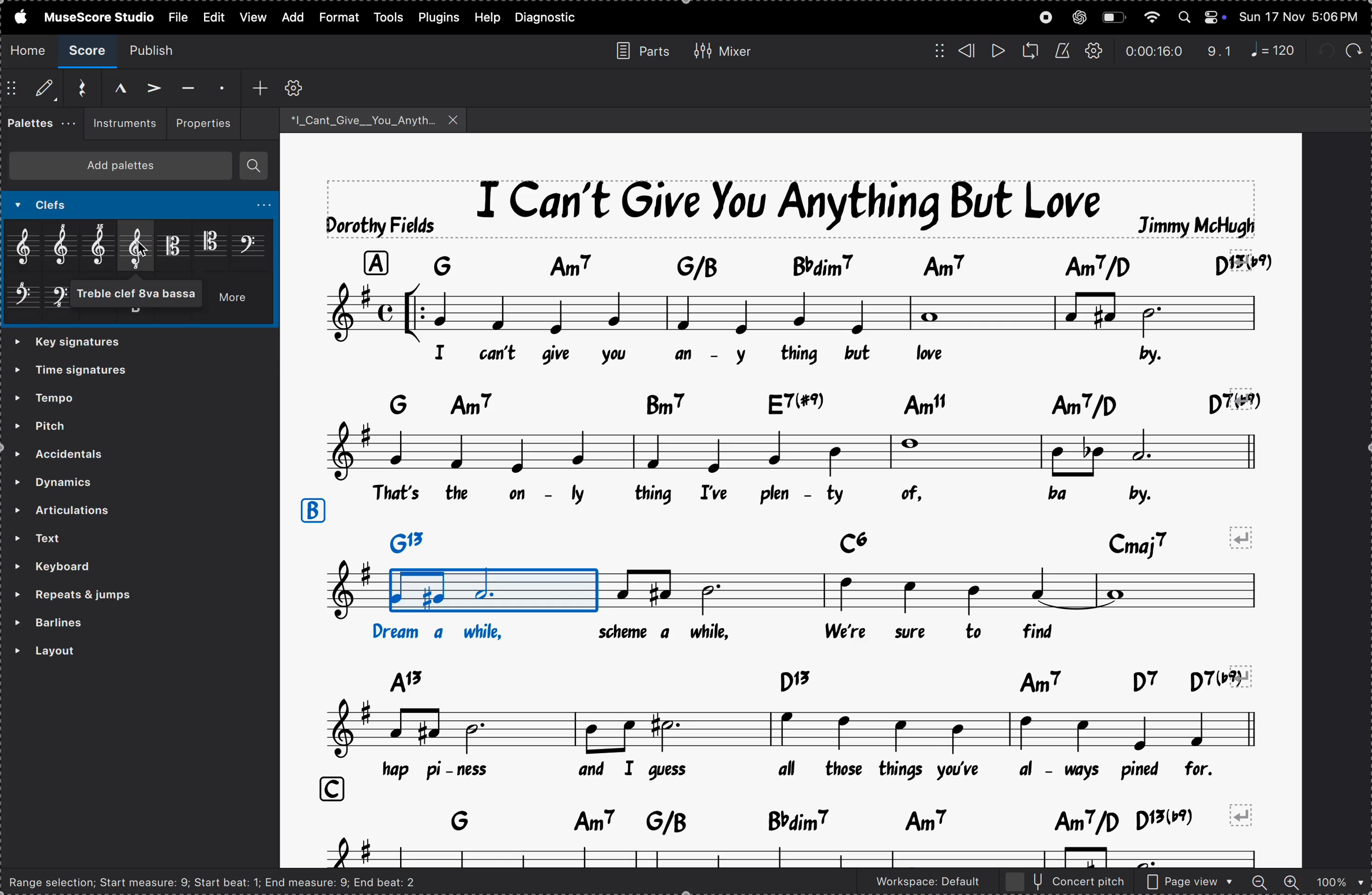 The height and width of the screenshot is (895, 1372). What do you see at coordinates (812, 769) in the screenshot?
I see `lyrics` at bounding box center [812, 769].